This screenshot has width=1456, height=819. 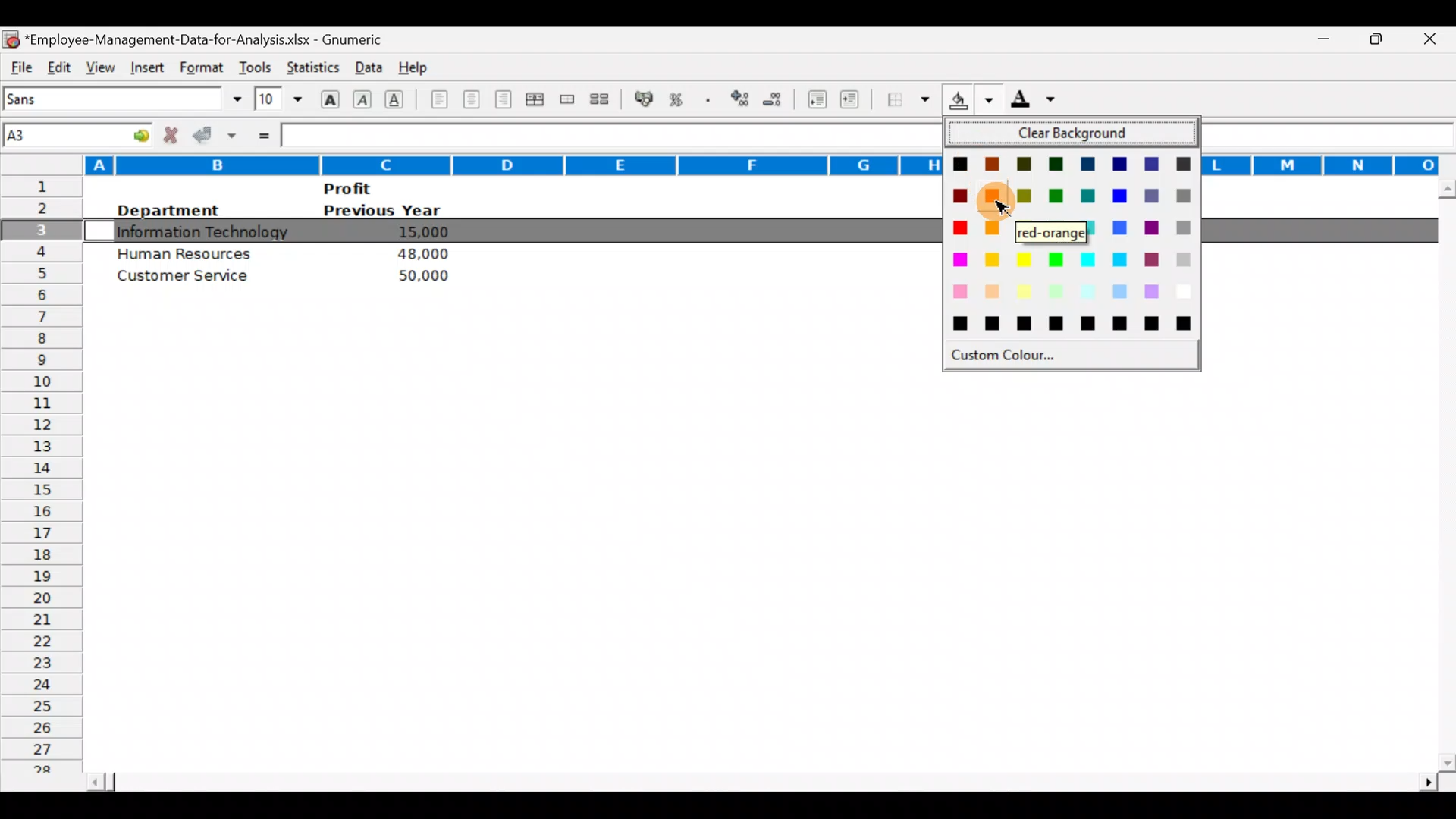 I want to click on Custom color, so click(x=1006, y=359).